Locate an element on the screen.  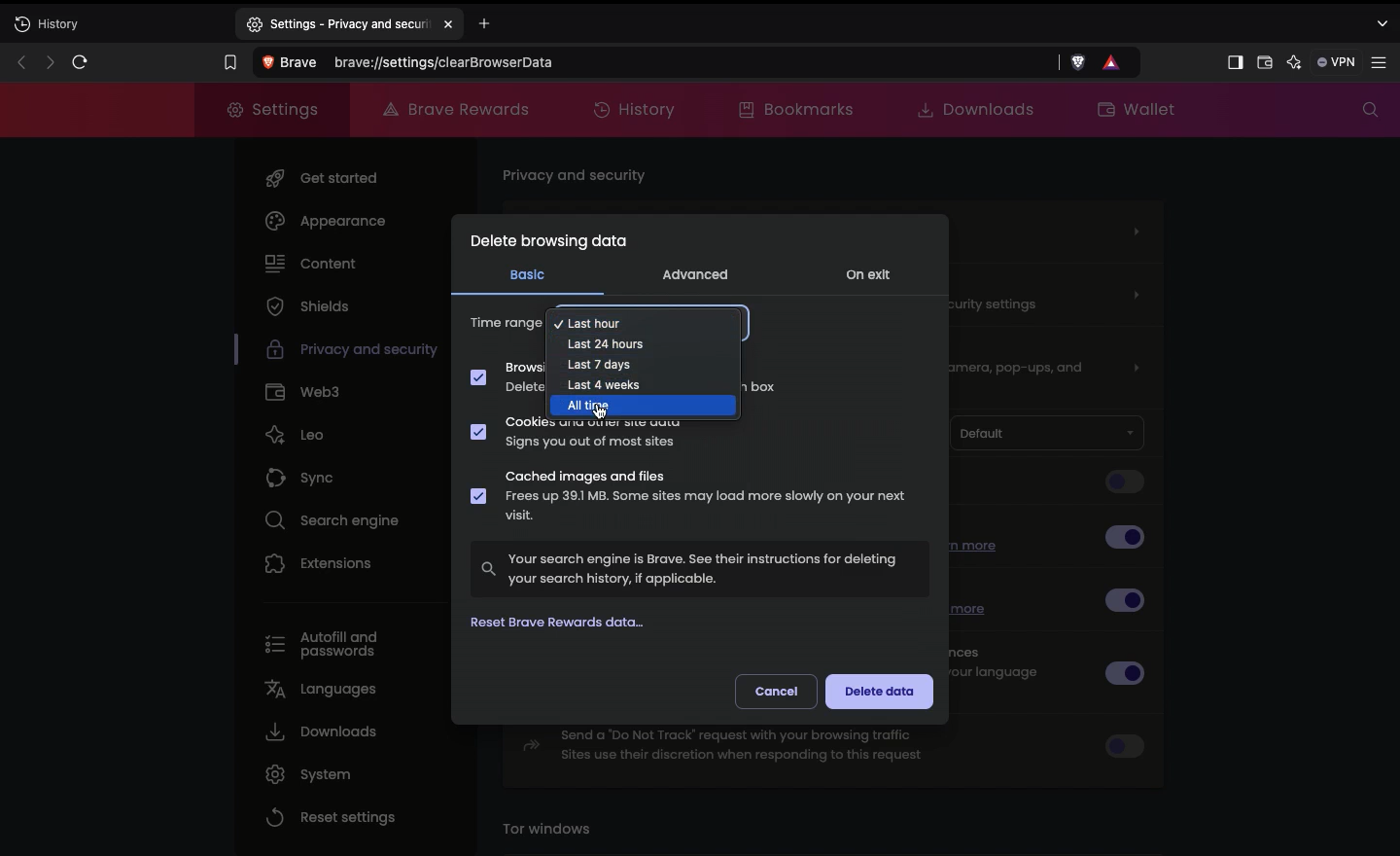
Reset settings is located at coordinates (331, 817).